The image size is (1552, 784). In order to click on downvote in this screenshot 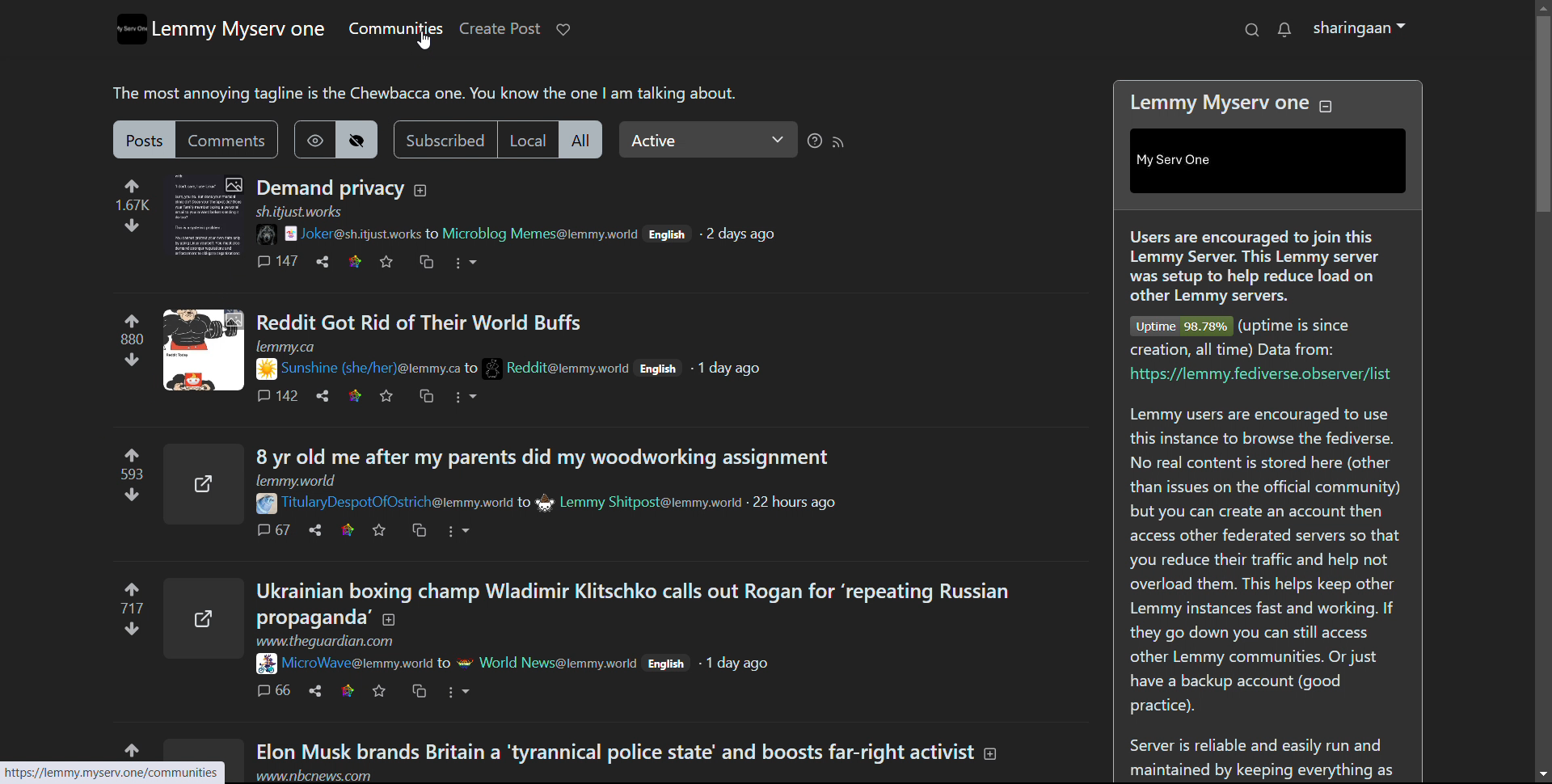, I will do `click(128, 226)`.